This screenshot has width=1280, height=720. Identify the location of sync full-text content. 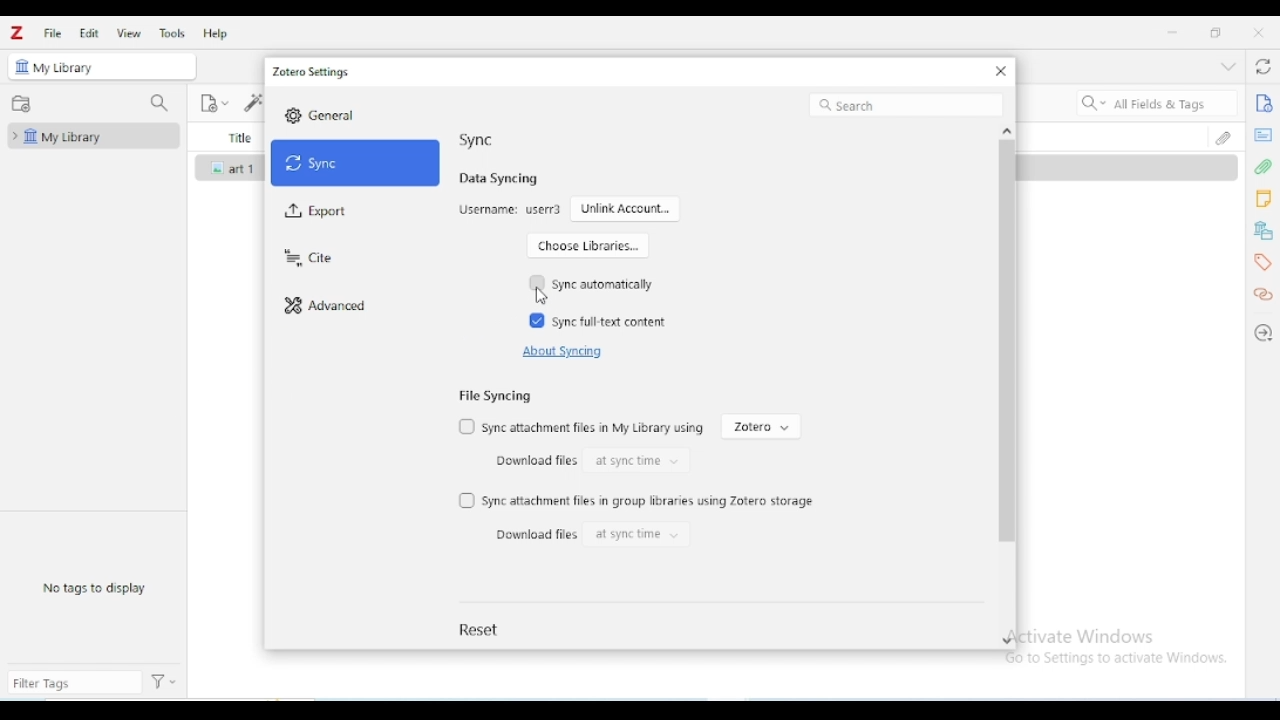
(612, 322).